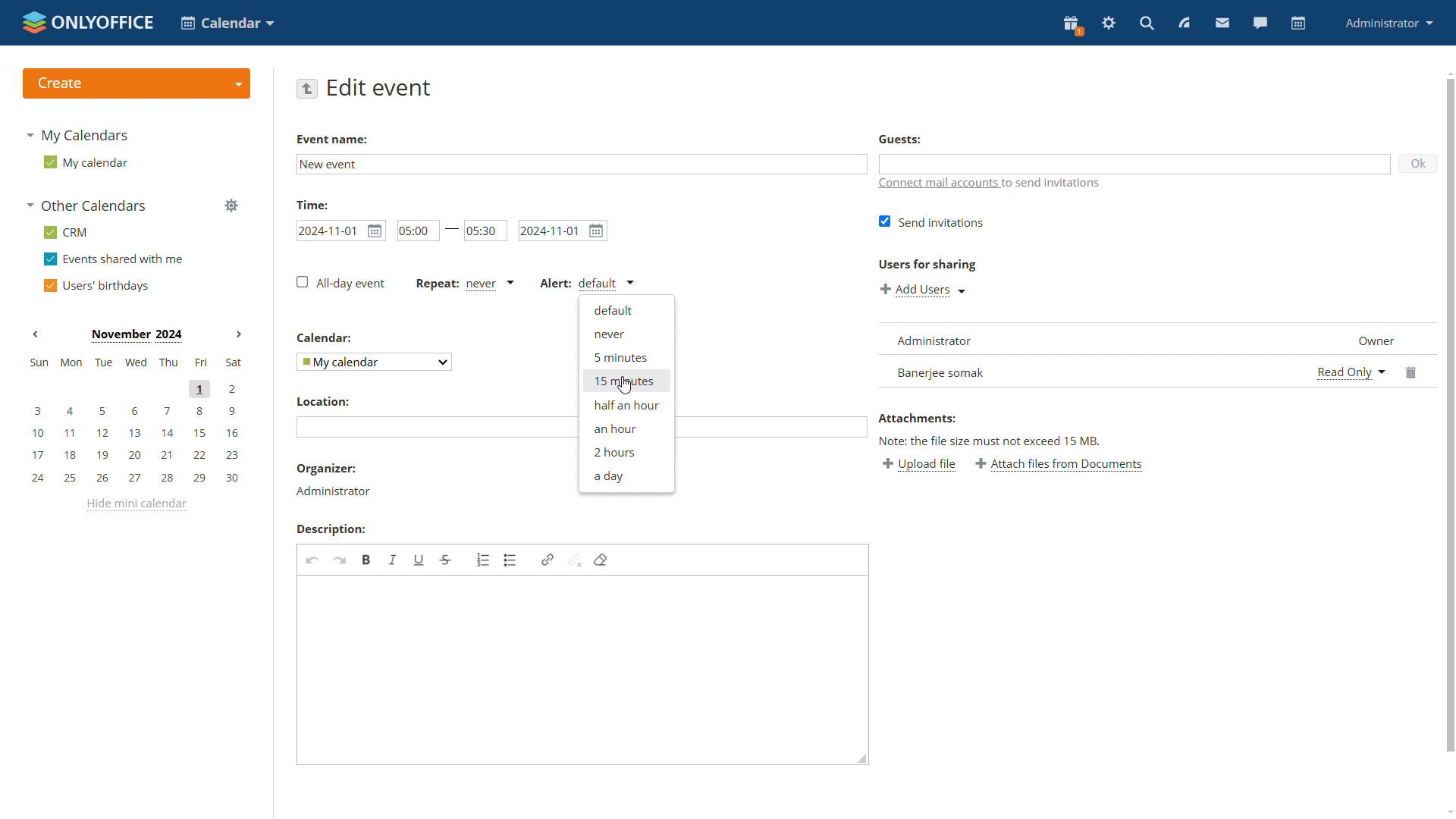  I want to click on ok, so click(1420, 163).